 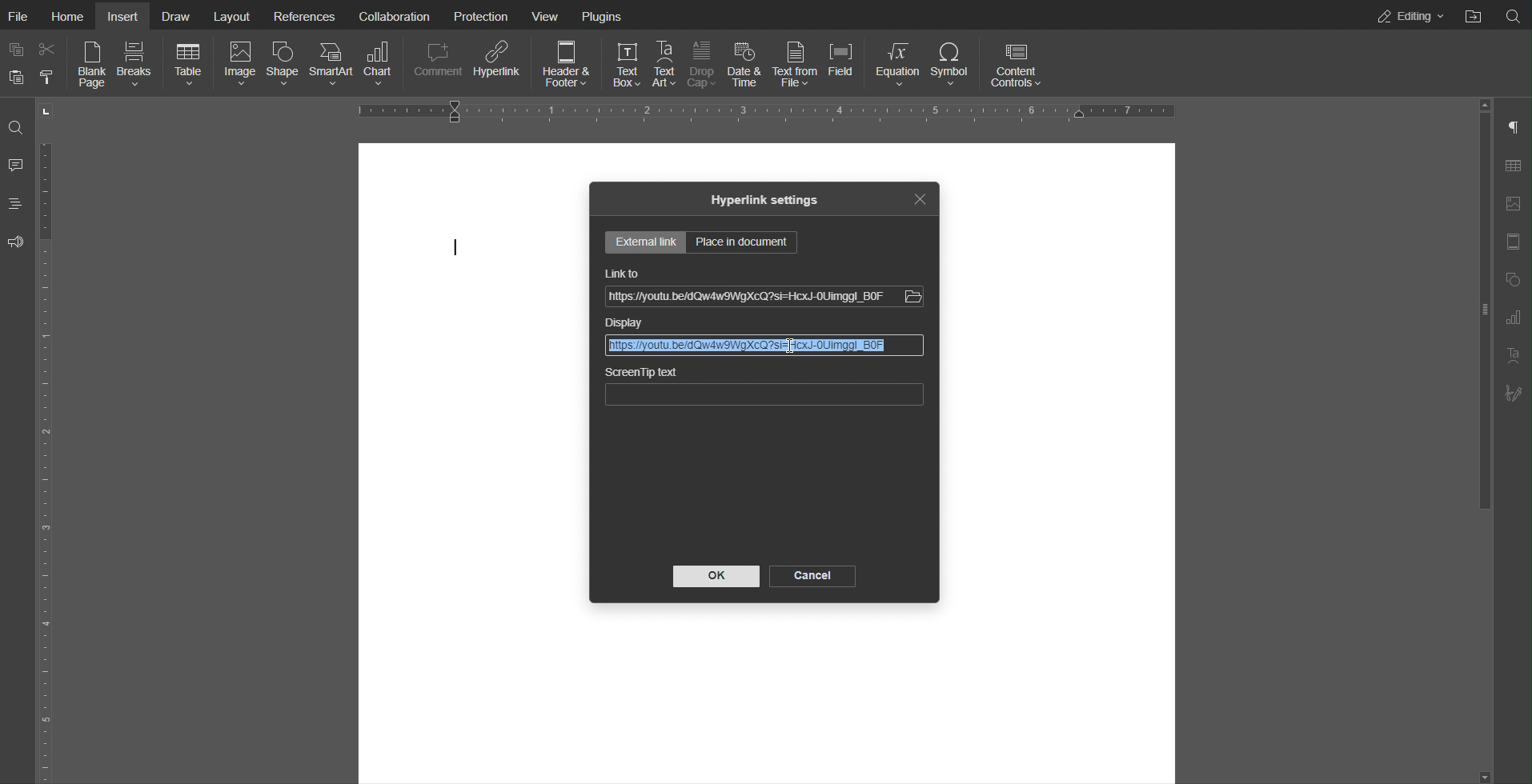 What do you see at coordinates (952, 64) in the screenshot?
I see `Symbol` at bounding box center [952, 64].